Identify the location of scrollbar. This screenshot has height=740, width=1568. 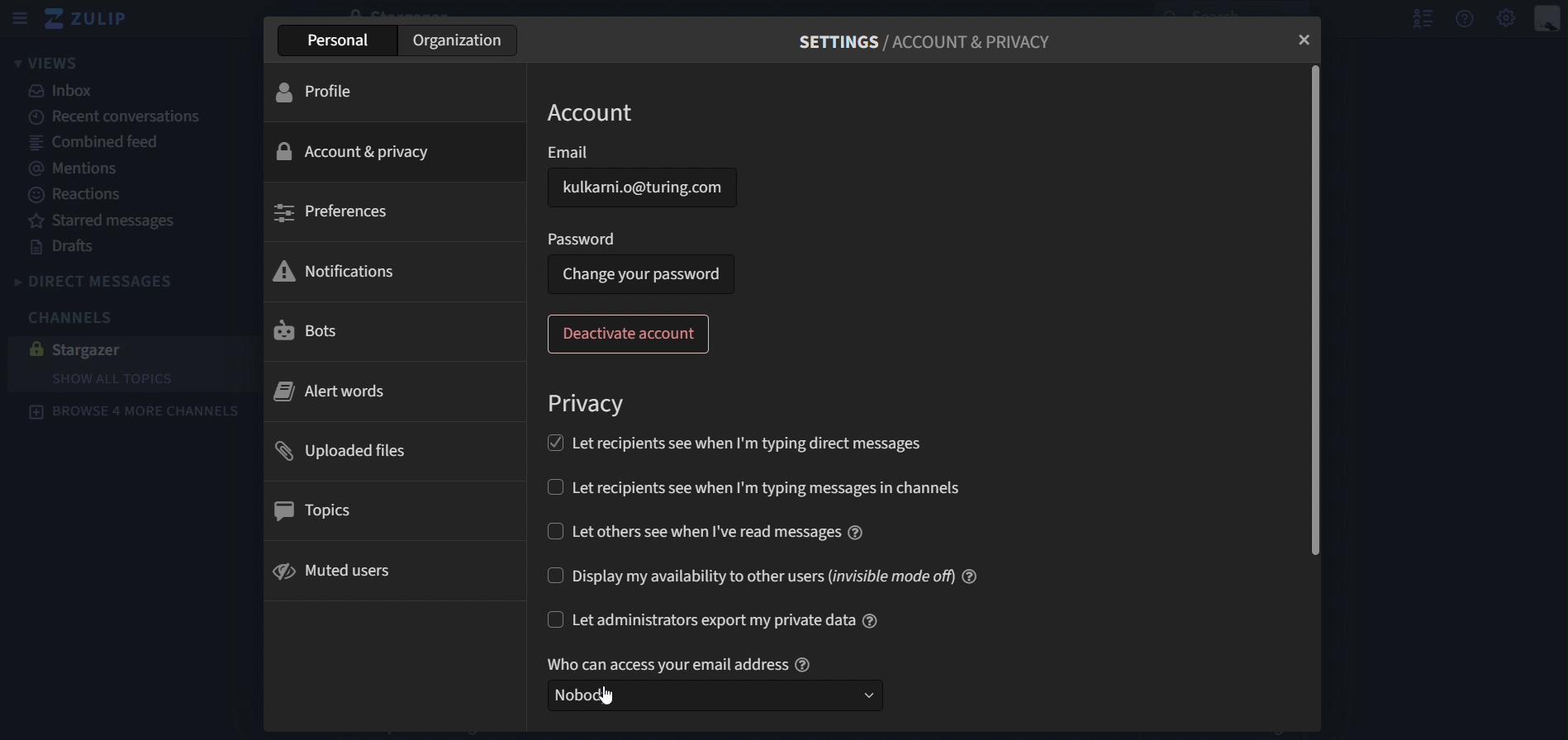
(1316, 309).